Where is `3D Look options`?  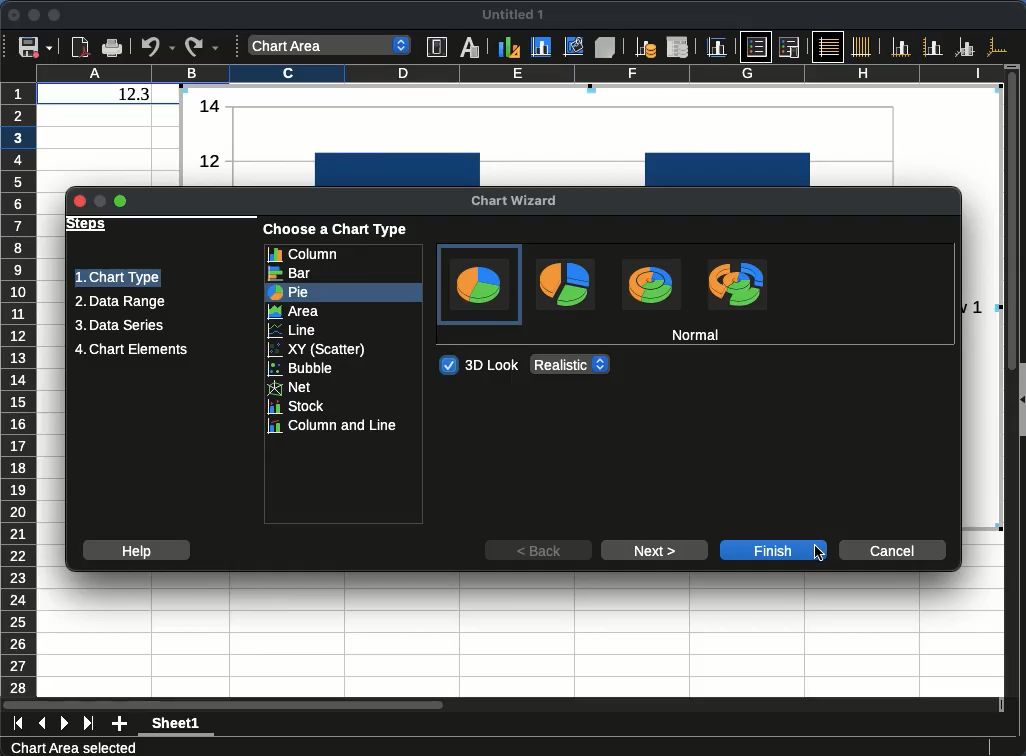 3D Look options is located at coordinates (571, 364).